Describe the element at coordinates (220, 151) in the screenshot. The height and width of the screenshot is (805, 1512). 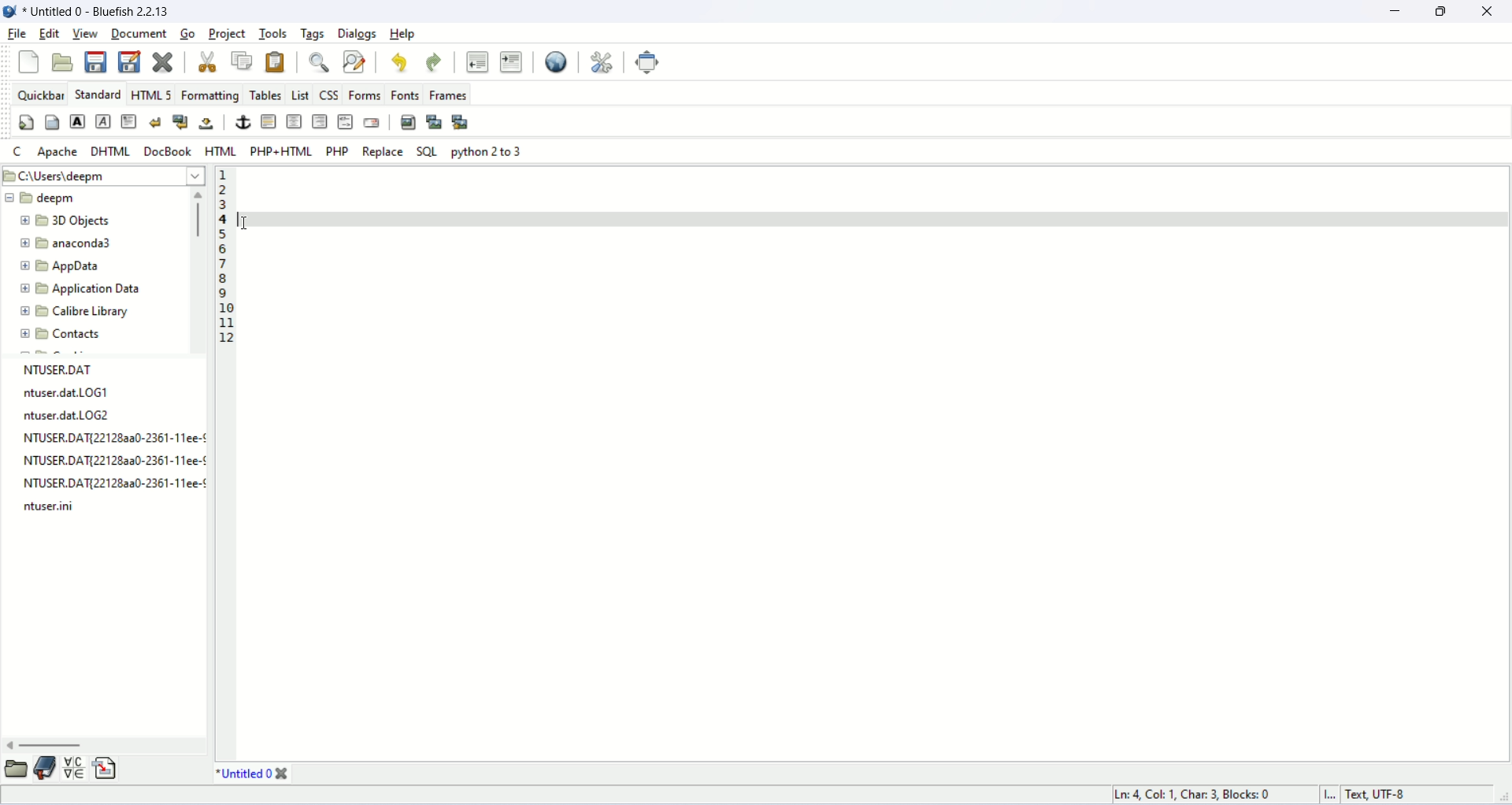
I see `HTML` at that location.